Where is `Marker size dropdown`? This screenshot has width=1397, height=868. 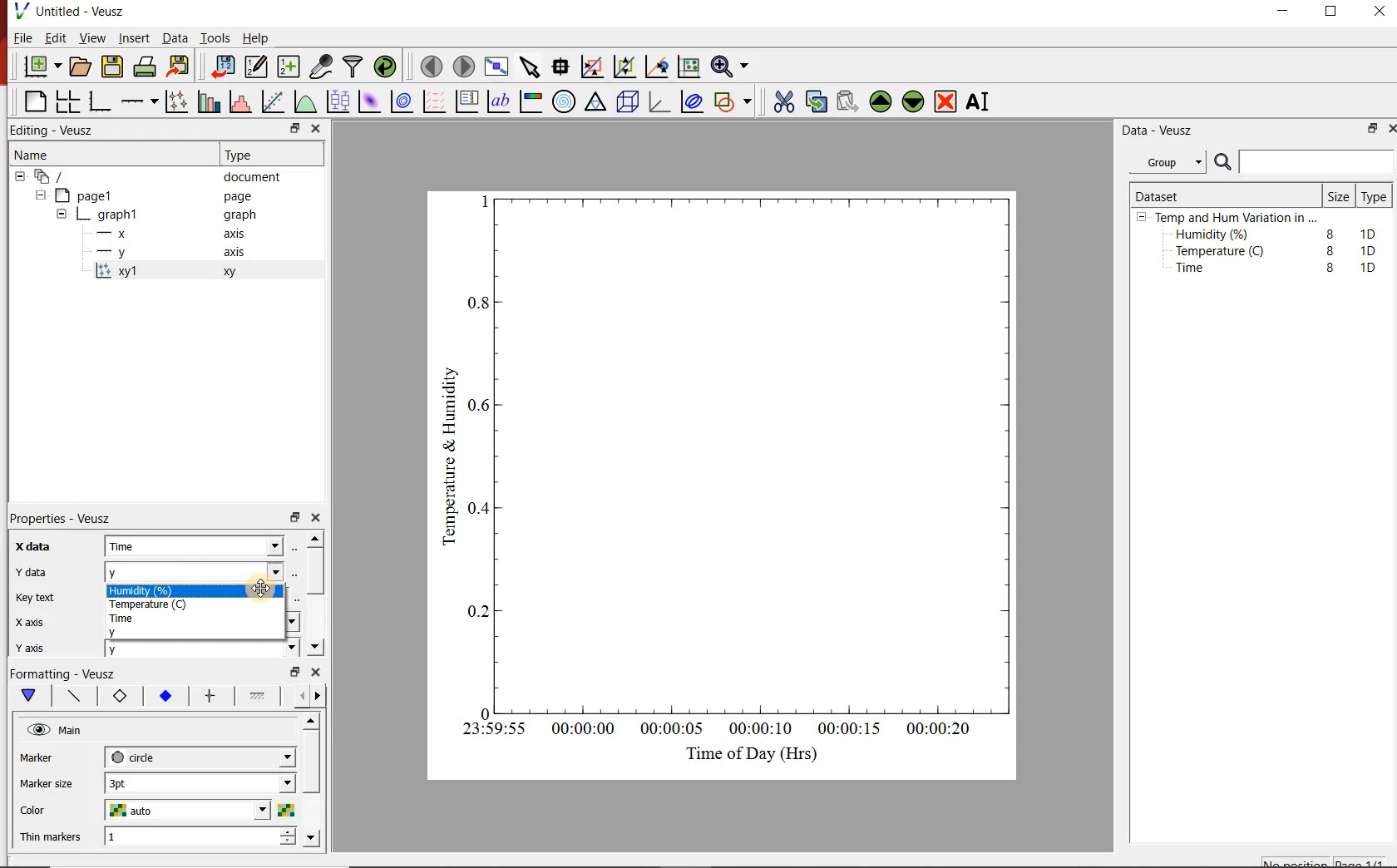 Marker size dropdown is located at coordinates (249, 784).